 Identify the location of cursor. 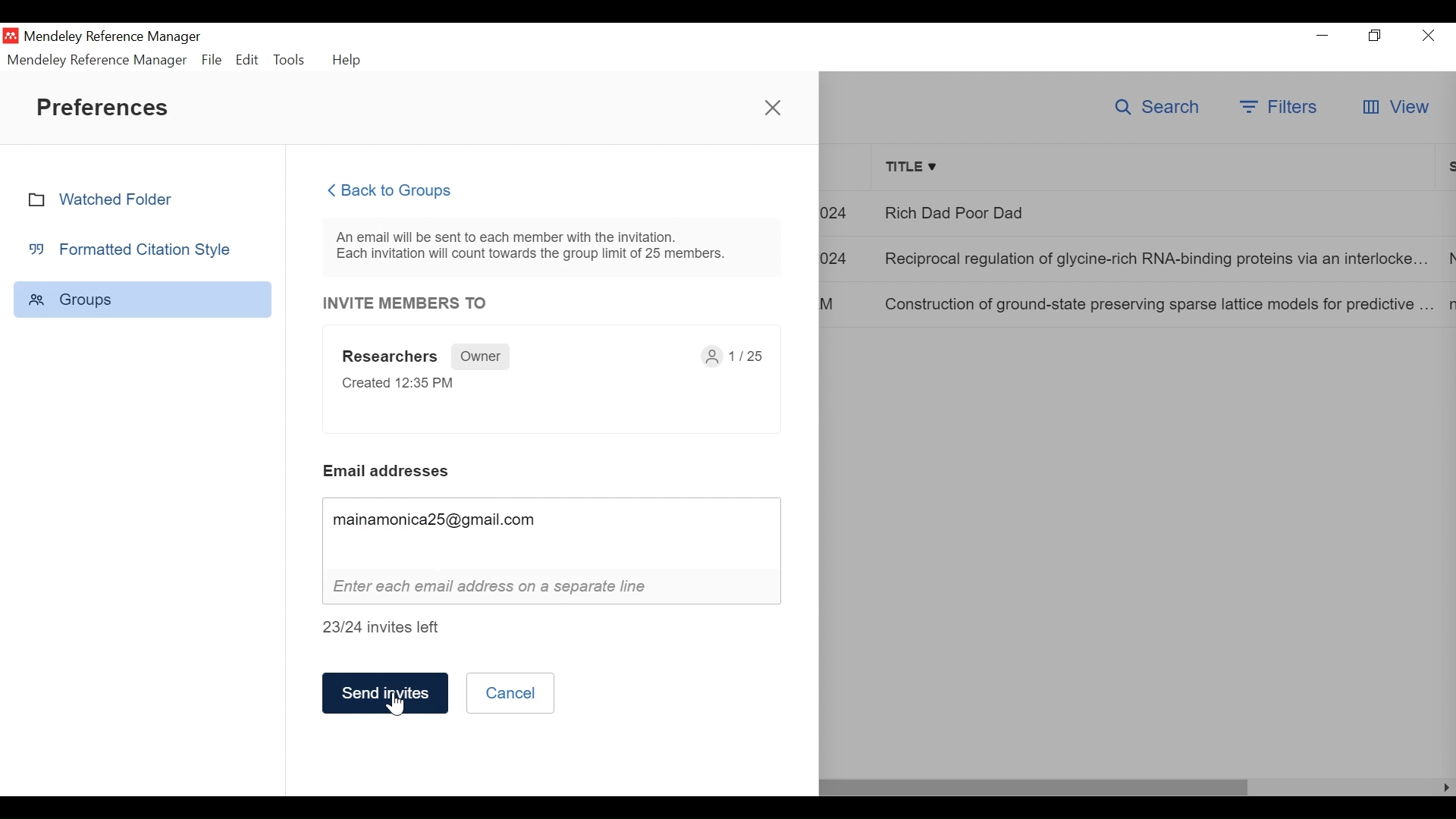
(397, 705).